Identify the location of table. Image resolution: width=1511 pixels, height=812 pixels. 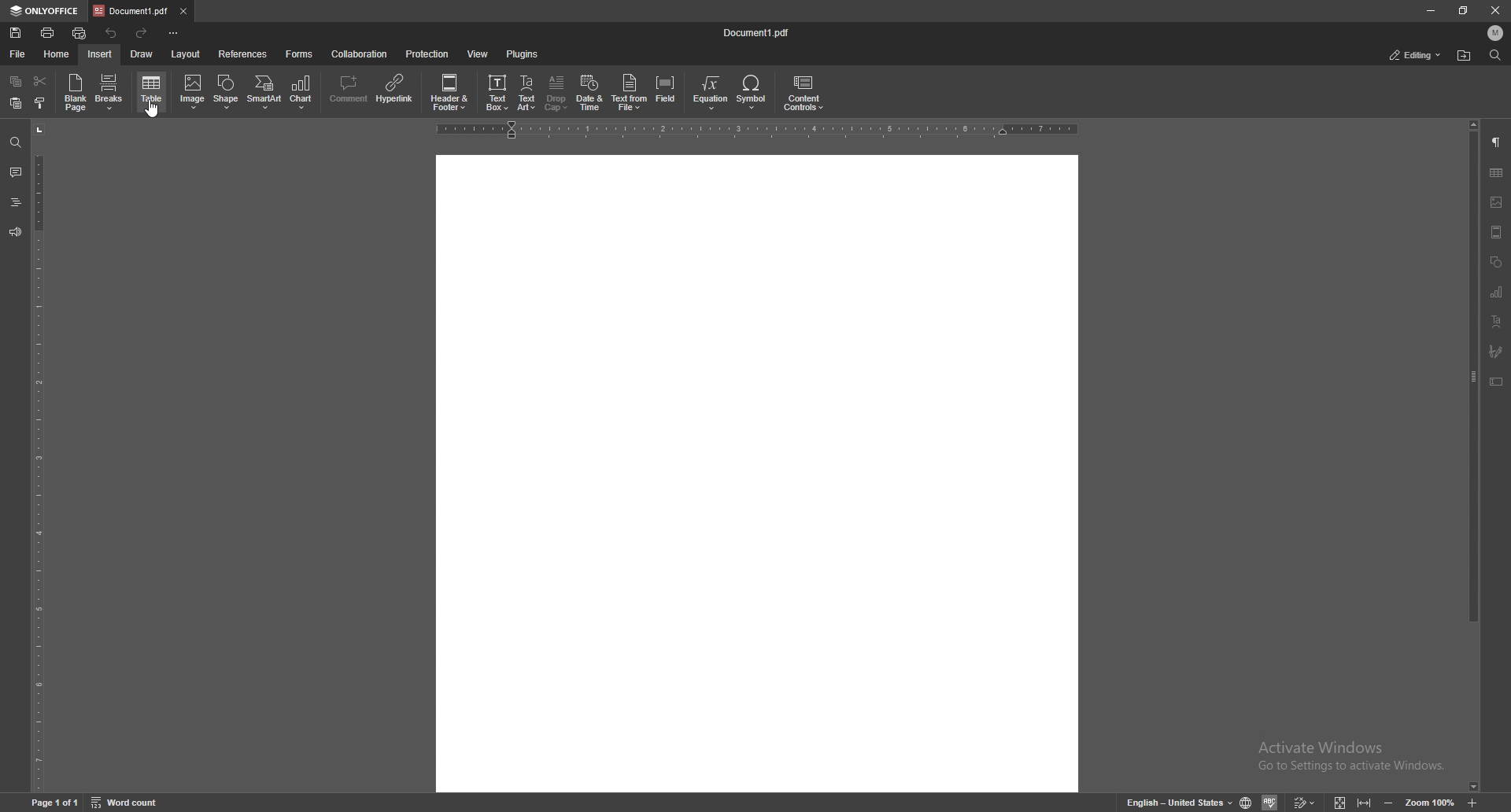
(1498, 172).